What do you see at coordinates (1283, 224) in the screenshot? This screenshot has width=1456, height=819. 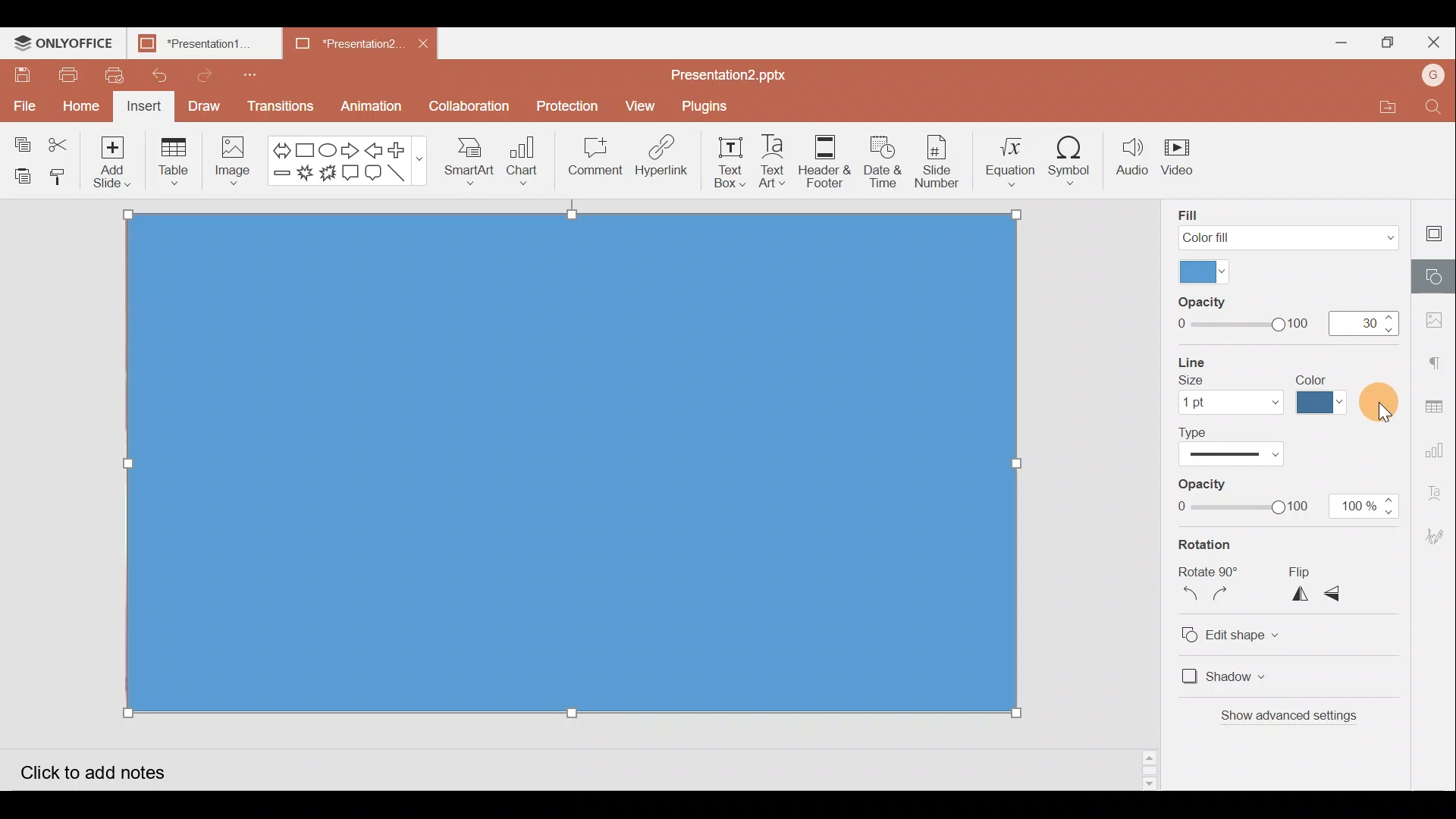 I see `Fill` at bounding box center [1283, 224].